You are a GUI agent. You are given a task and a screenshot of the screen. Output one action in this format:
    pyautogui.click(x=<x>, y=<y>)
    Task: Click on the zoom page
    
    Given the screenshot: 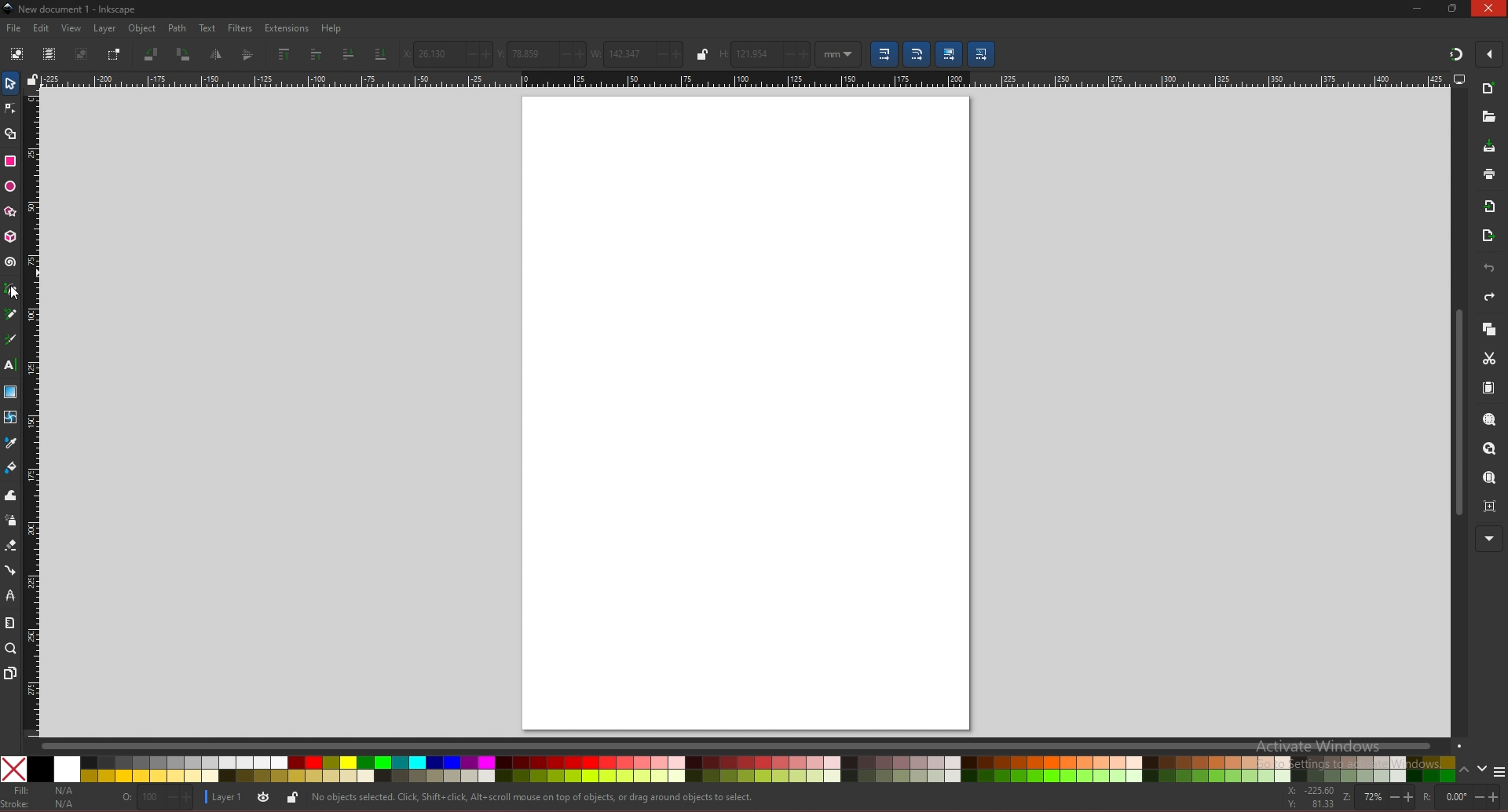 What is the action you would take?
    pyautogui.click(x=1488, y=479)
    